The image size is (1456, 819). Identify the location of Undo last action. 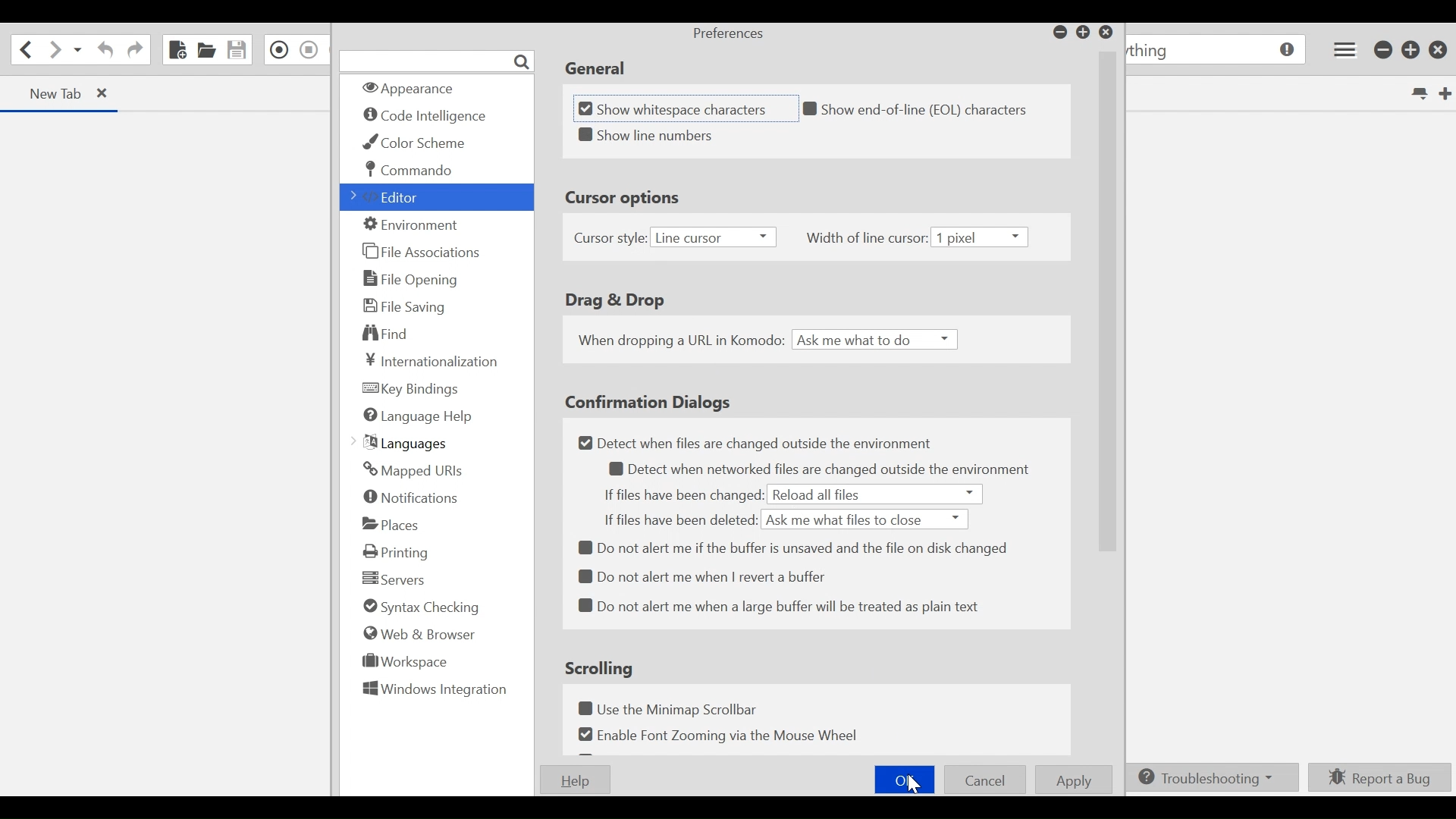
(105, 51).